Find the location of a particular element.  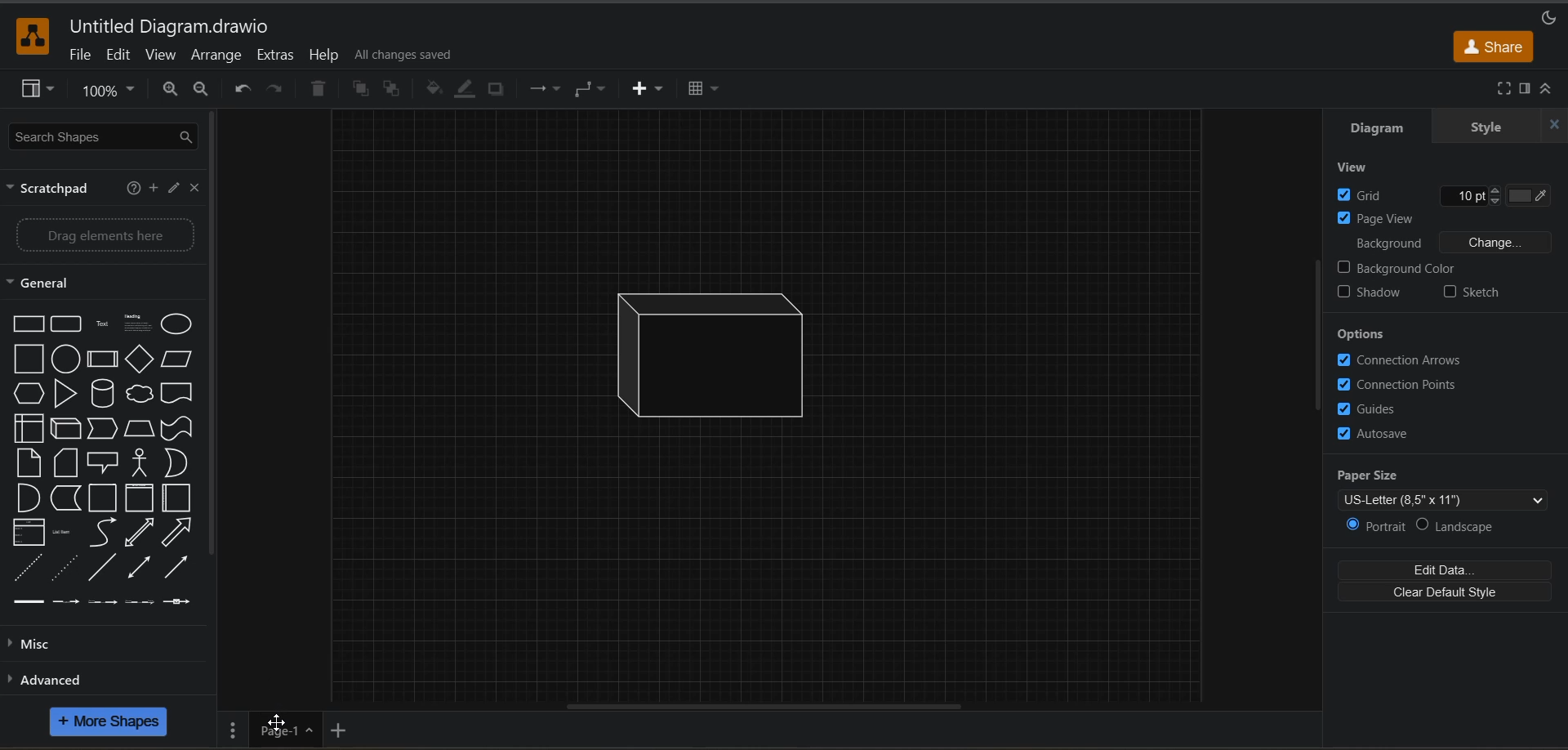

add is located at coordinates (151, 188).